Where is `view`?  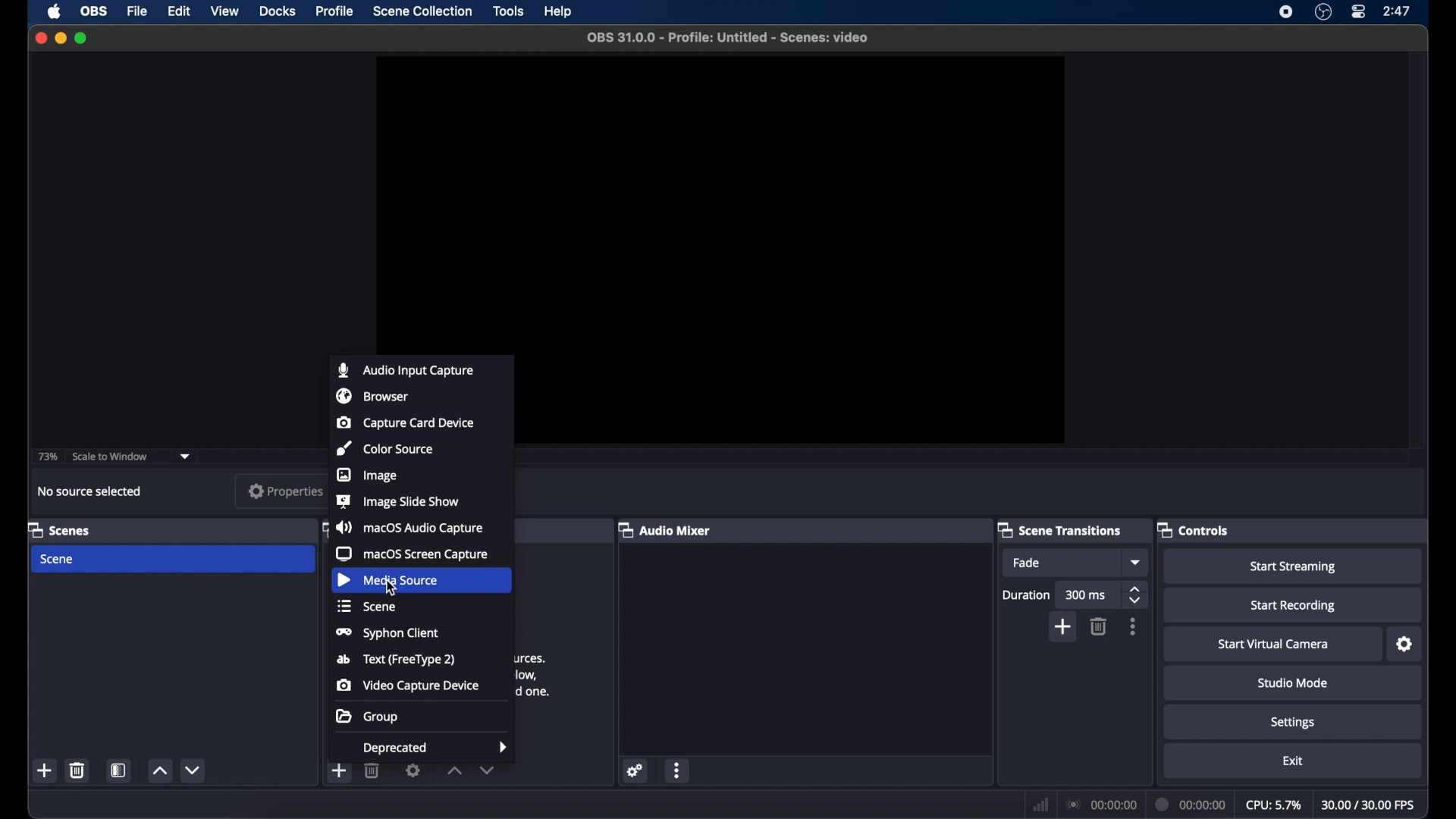
view is located at coordinates (226, 11).